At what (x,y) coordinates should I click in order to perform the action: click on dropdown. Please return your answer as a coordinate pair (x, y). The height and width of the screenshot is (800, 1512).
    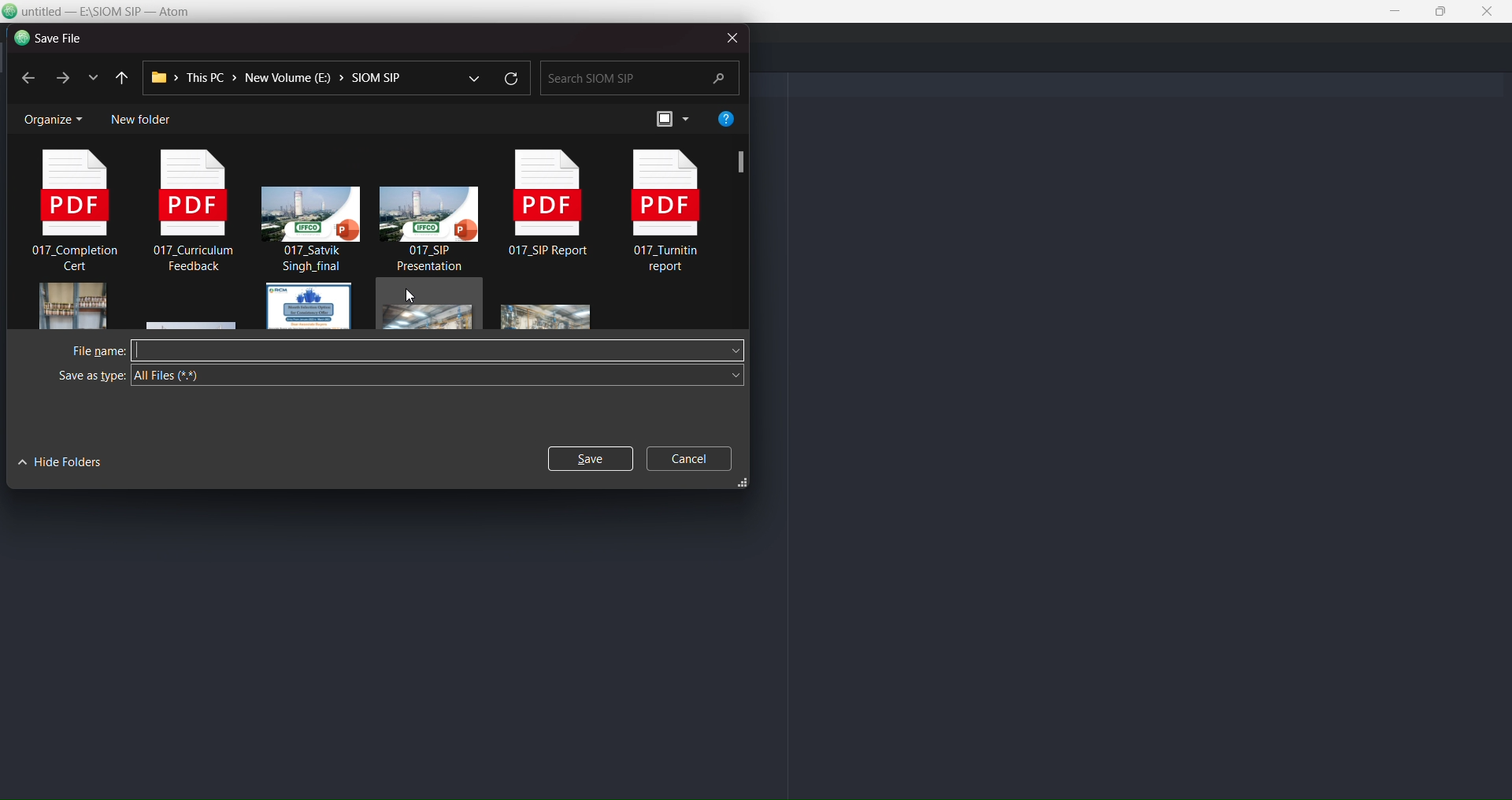
    Looking at the image, I should click on (476, 77).